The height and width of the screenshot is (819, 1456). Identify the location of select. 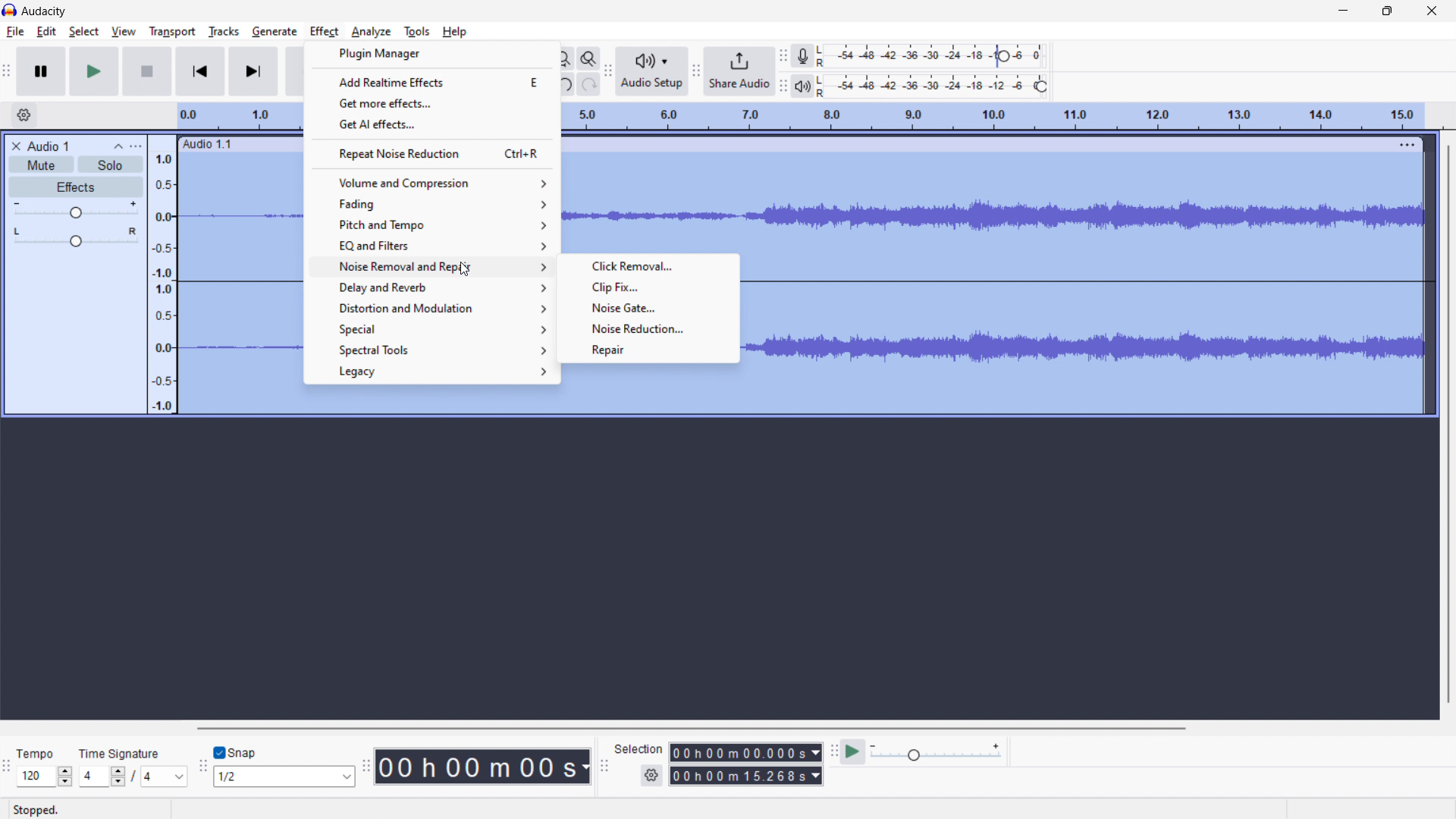
(84, 32).